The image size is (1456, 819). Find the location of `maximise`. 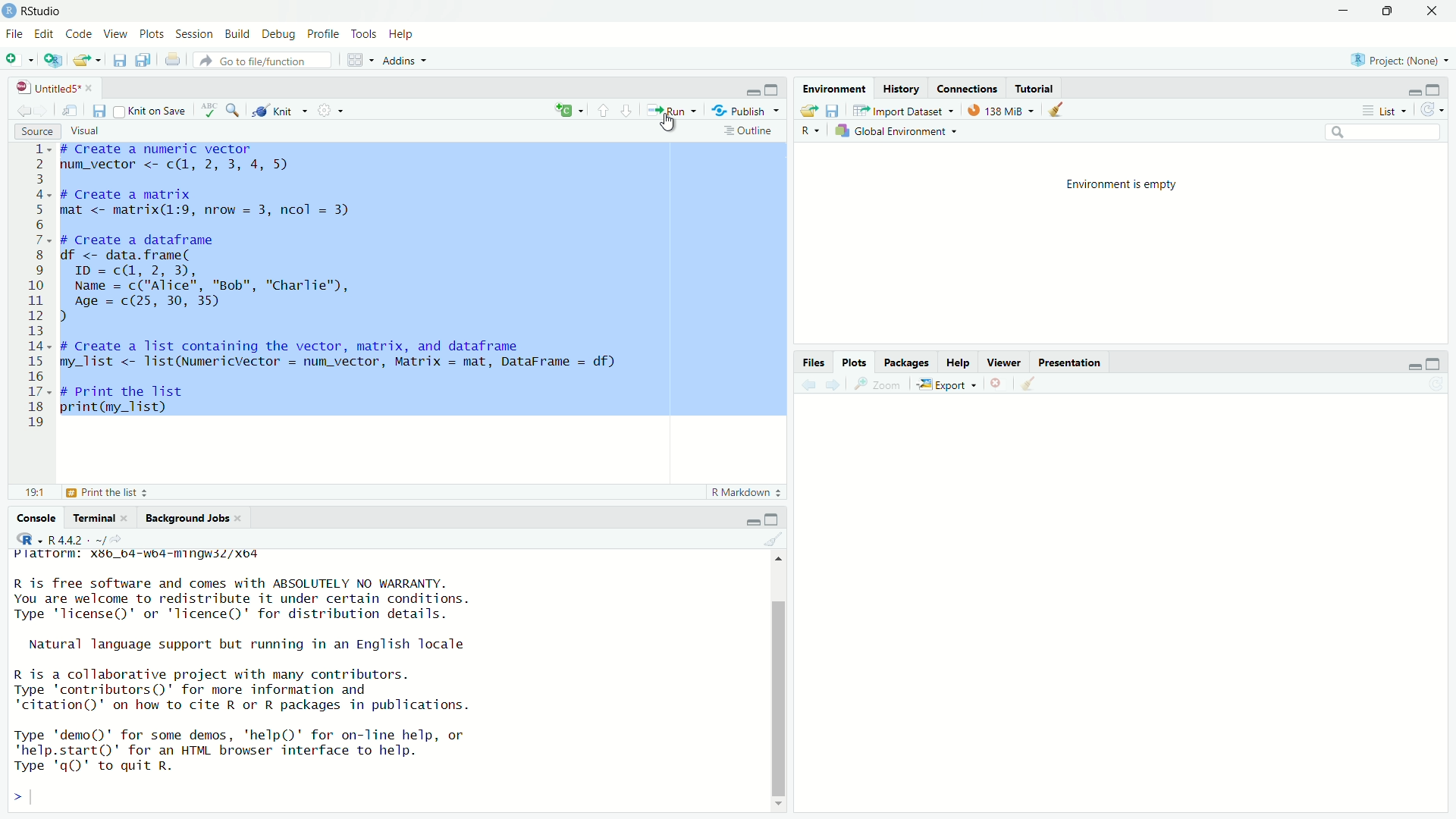

maximise is located at coordinates (777, 517).